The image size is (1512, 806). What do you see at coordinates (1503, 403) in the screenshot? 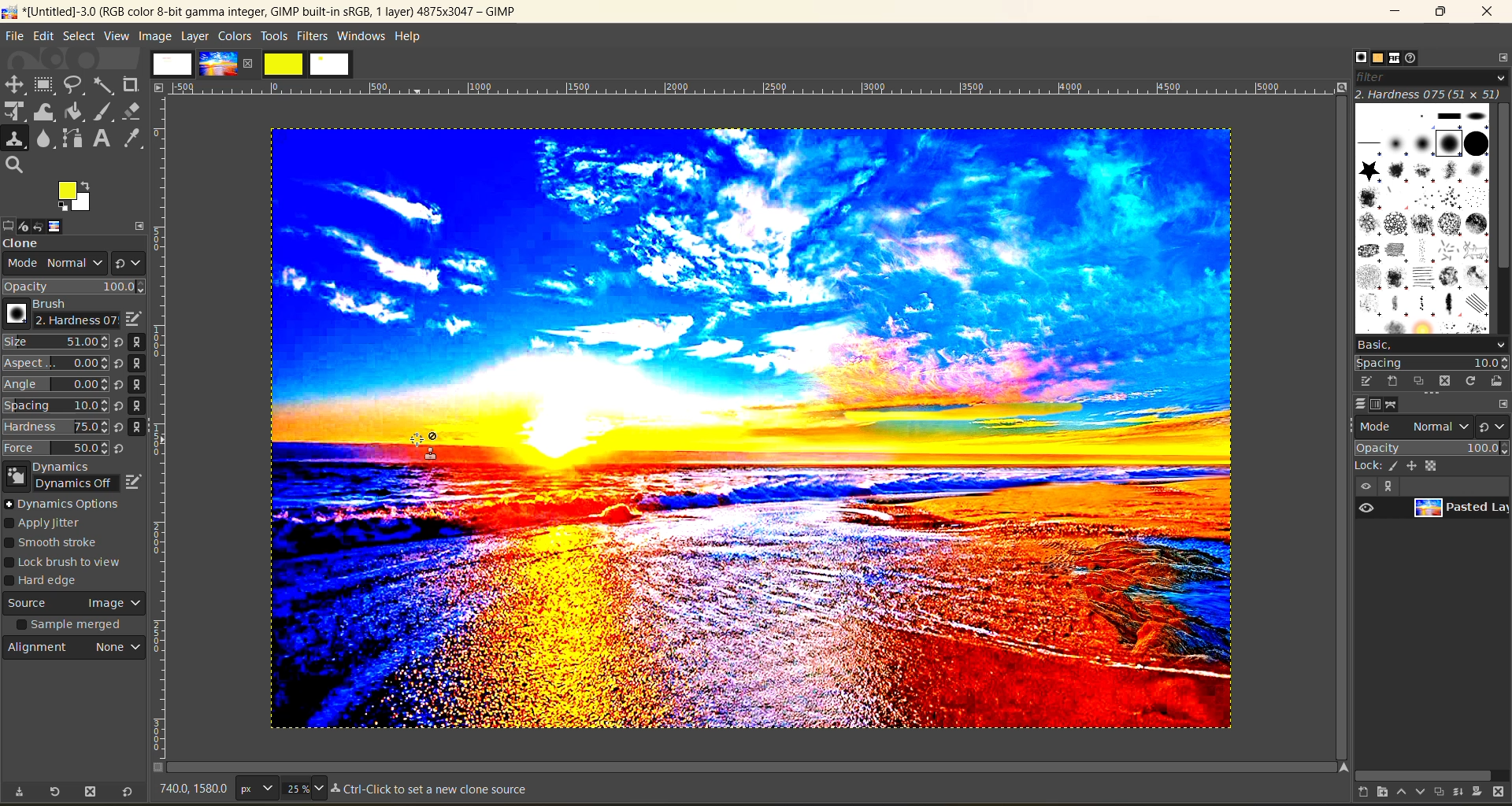
I see `configure` at bounding box center [1503, 403].